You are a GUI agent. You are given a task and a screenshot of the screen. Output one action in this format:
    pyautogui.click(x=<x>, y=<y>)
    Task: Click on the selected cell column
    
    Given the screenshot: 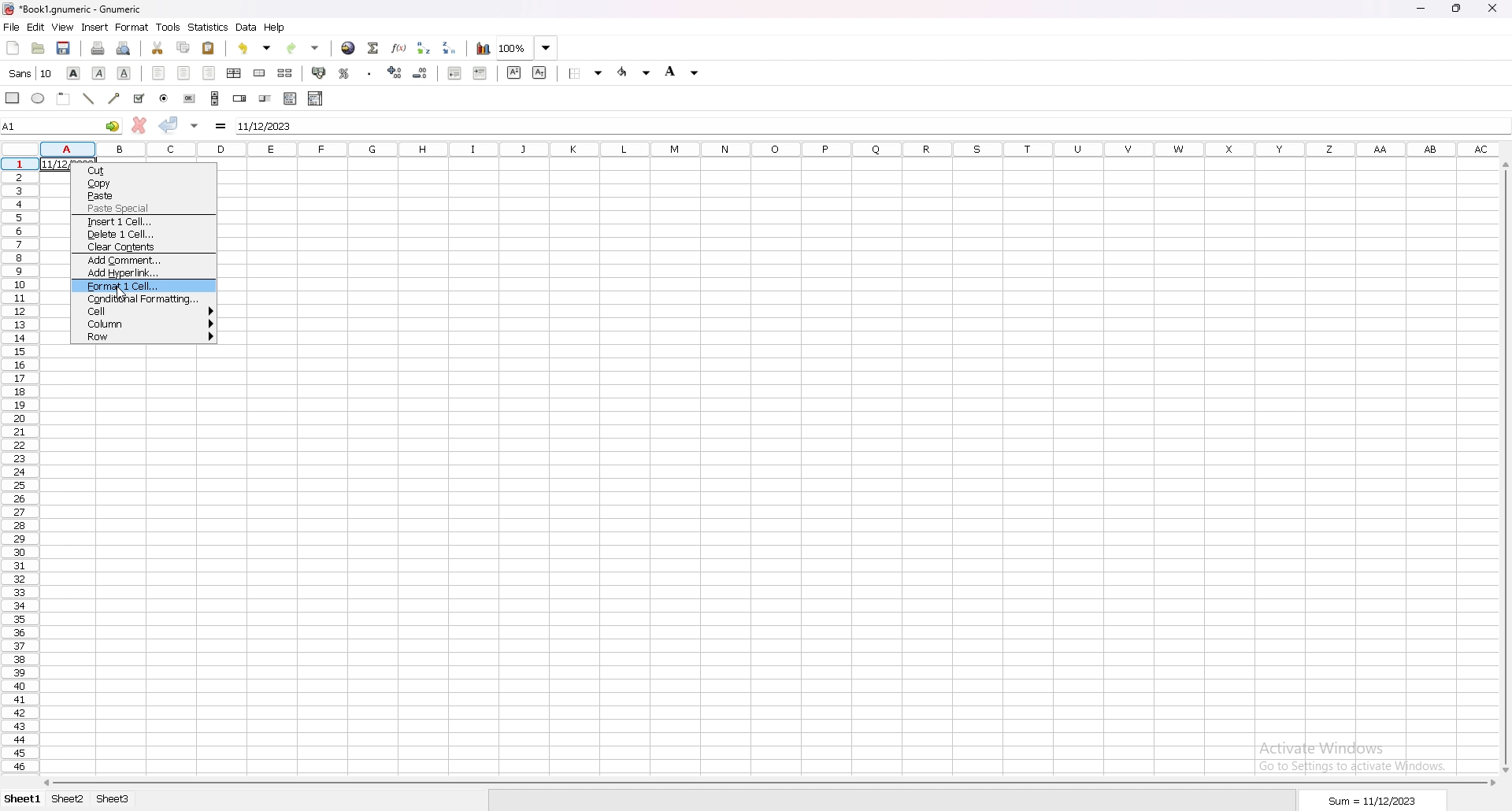 What is the action you would take?
    pyautogui.click(x=769, y=148)
    